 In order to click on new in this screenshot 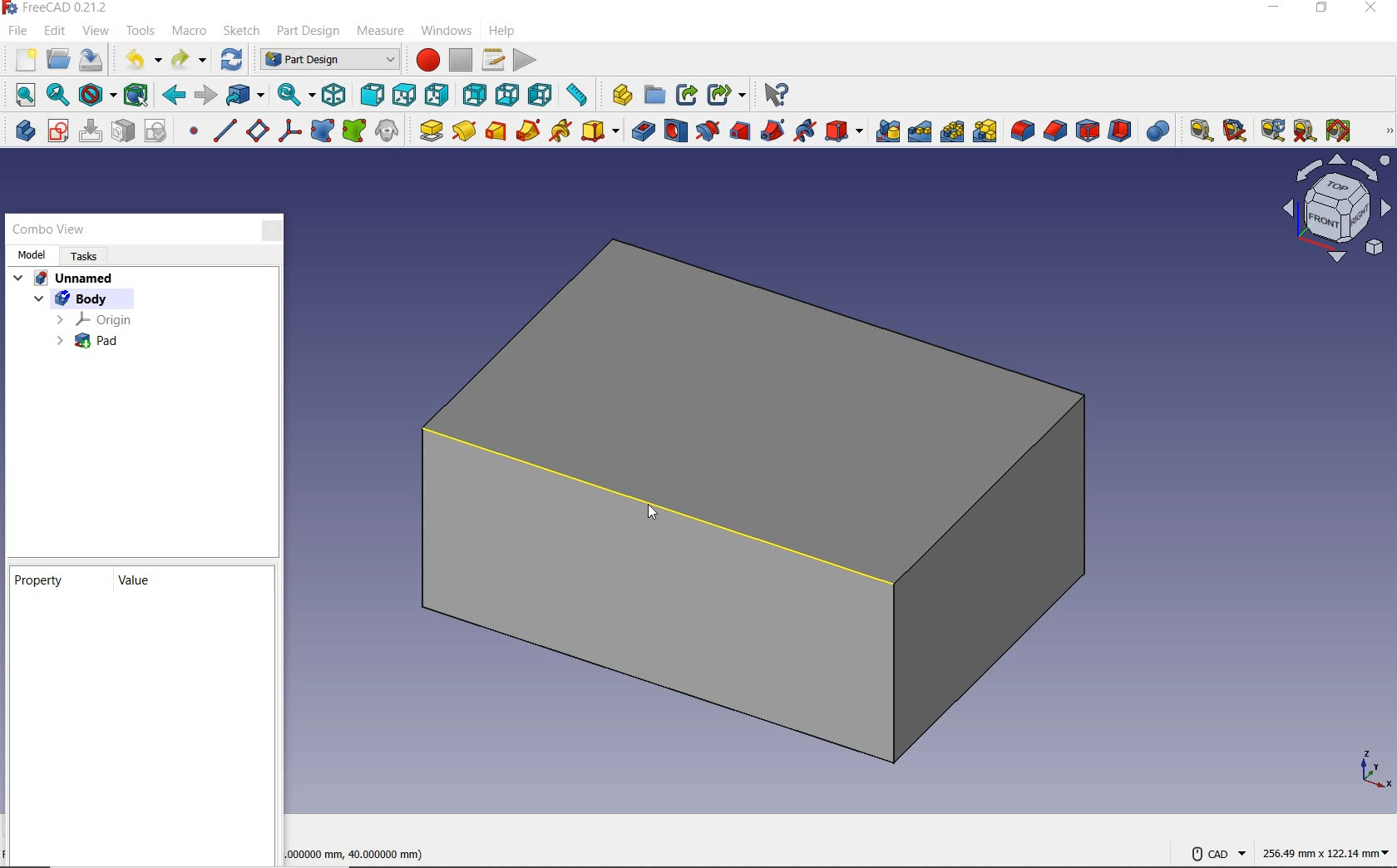, I will do `click(21, 60)`.